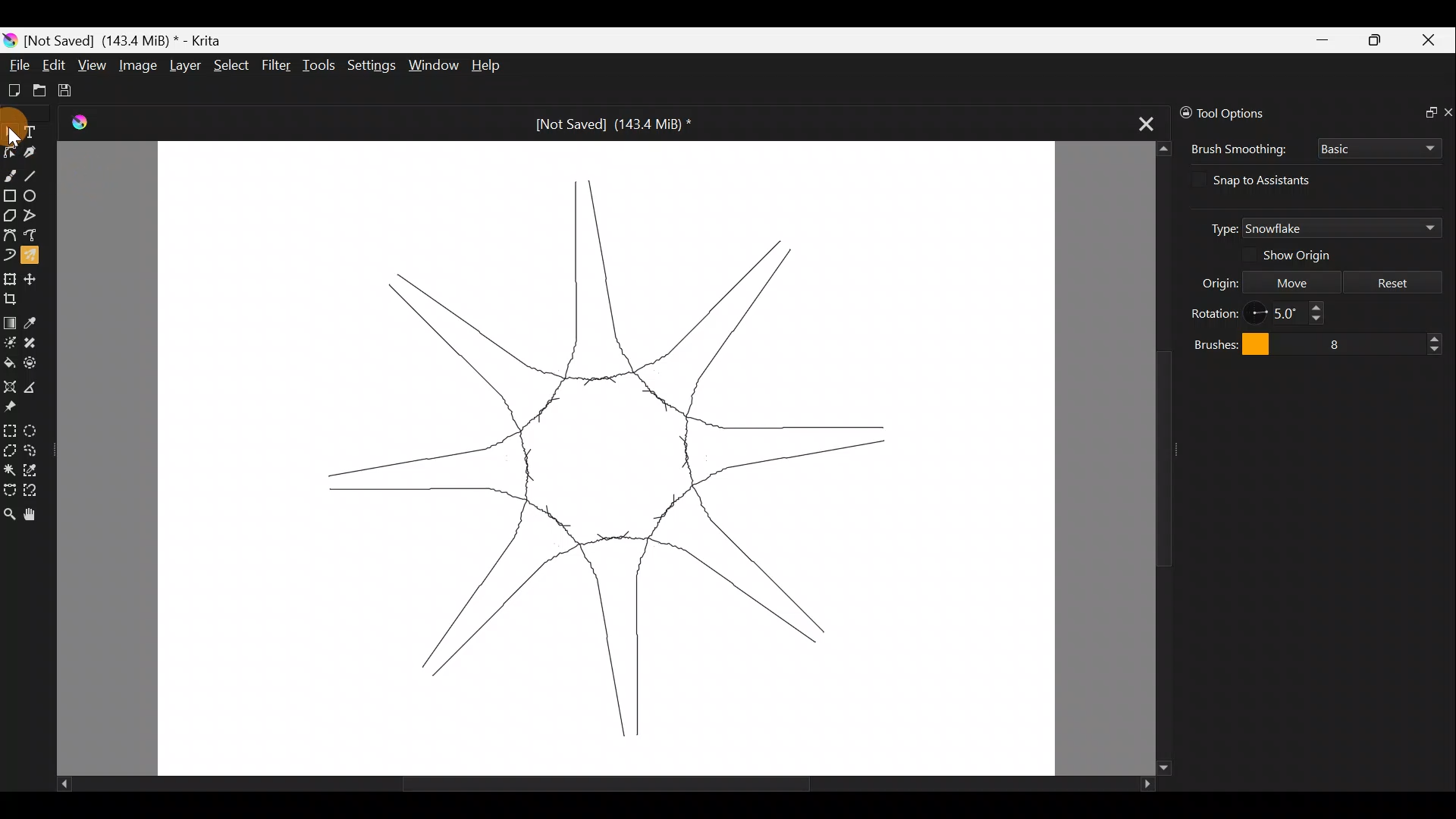 This screenshot has width=1456, height=819. What do you see at coordinates (14, 90) in the screenshot?
I see `Create new document` at bounding box center [14, 90].